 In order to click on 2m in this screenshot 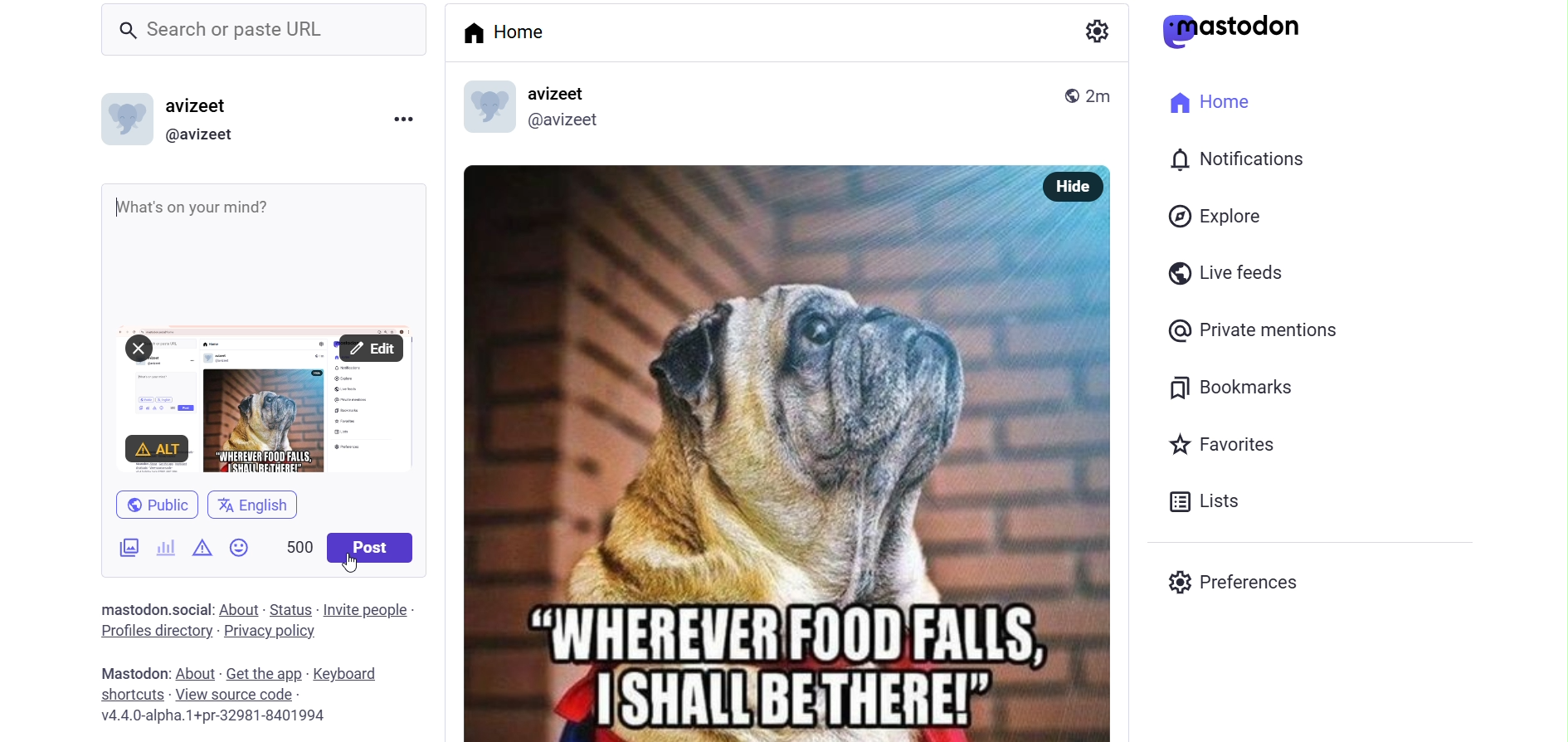, I will do `click(1098, 95)`.